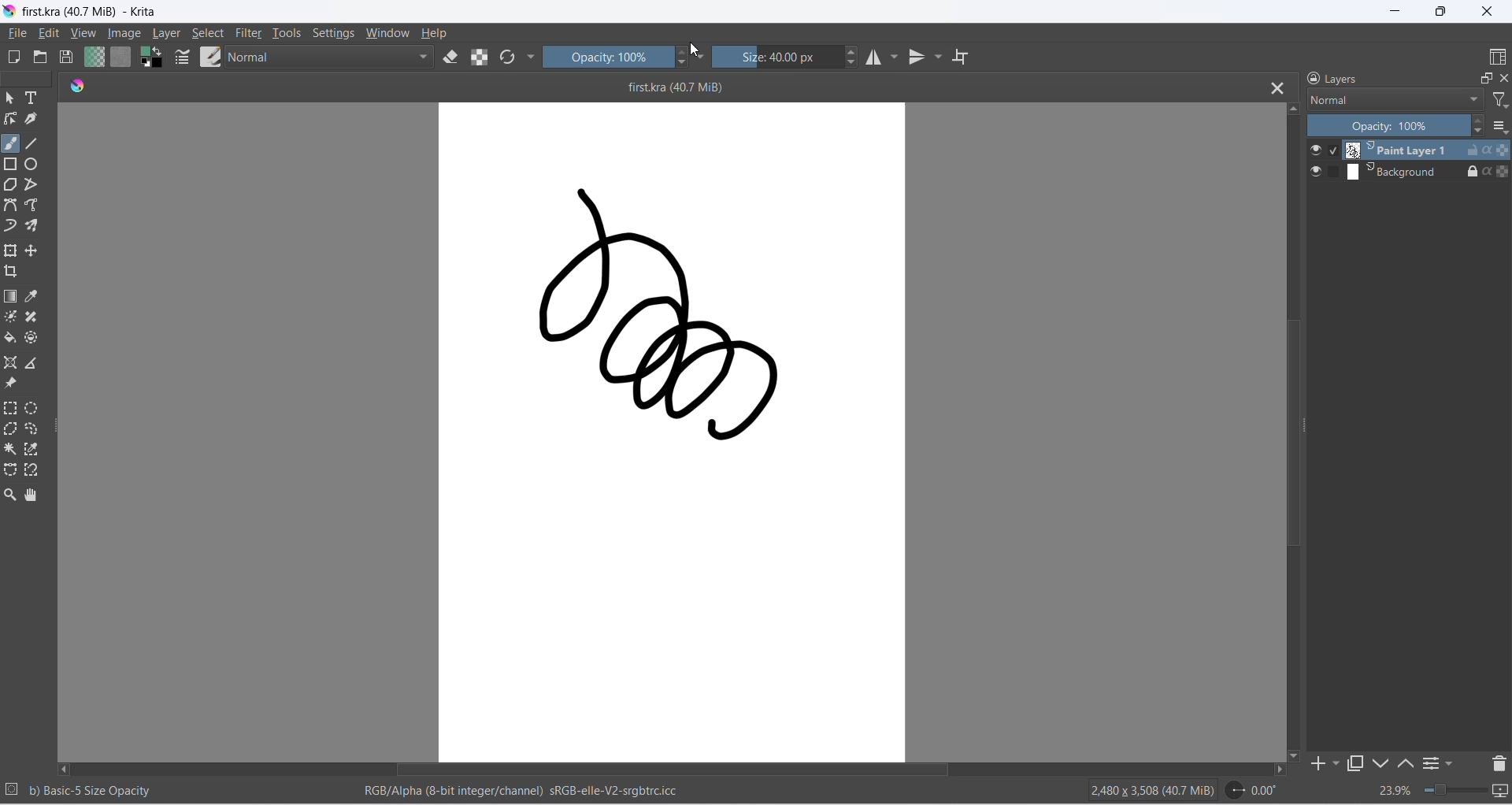 Image resolution: width=1512 pixels, height=805 pixels. What do you see at coordinates (10, 429) in the screenshot?
I see `polygonal selection tool` at bounding box center [10, 429].